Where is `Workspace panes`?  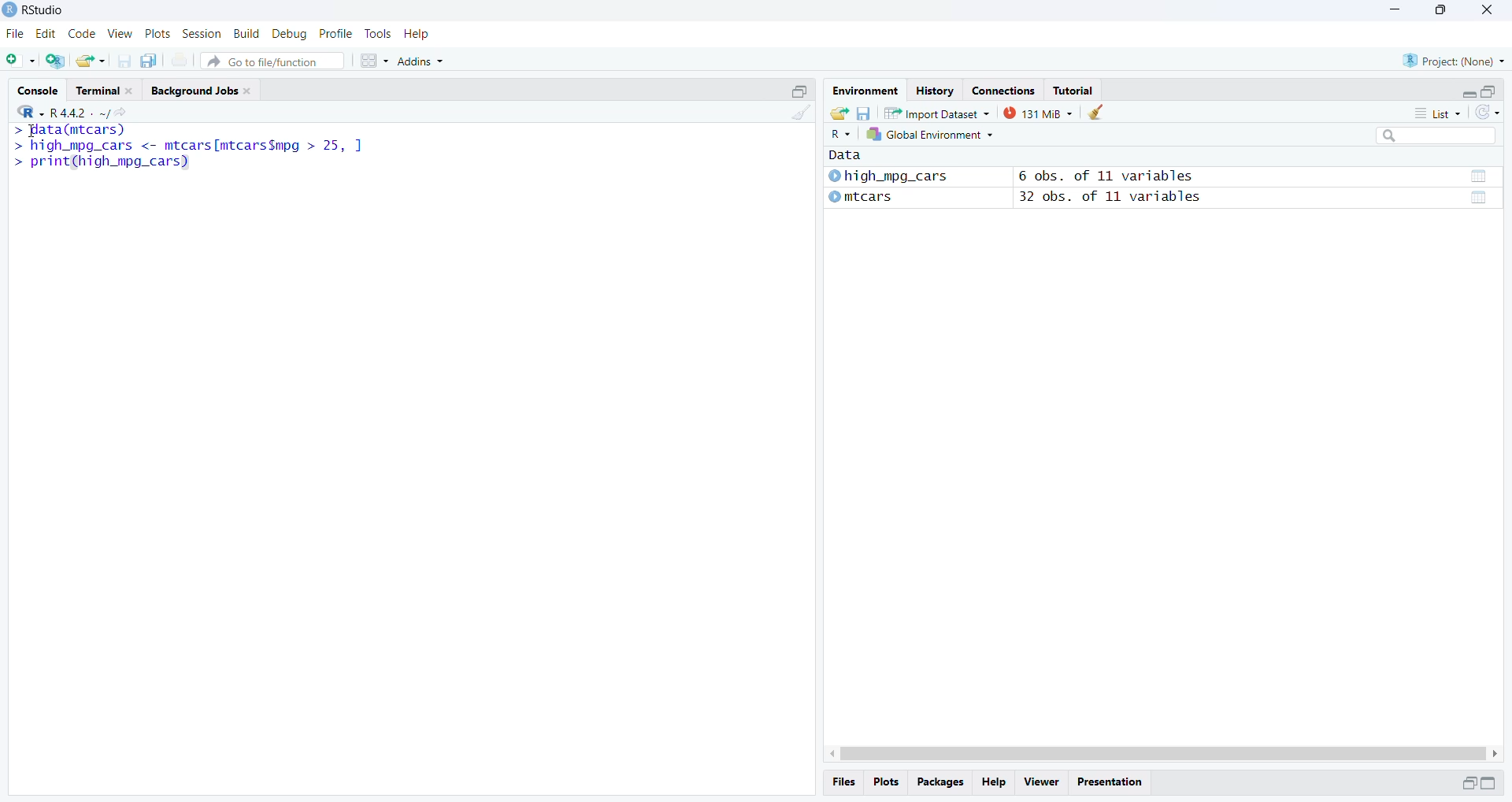
Workspace panes is located at coordinates (374, 61).